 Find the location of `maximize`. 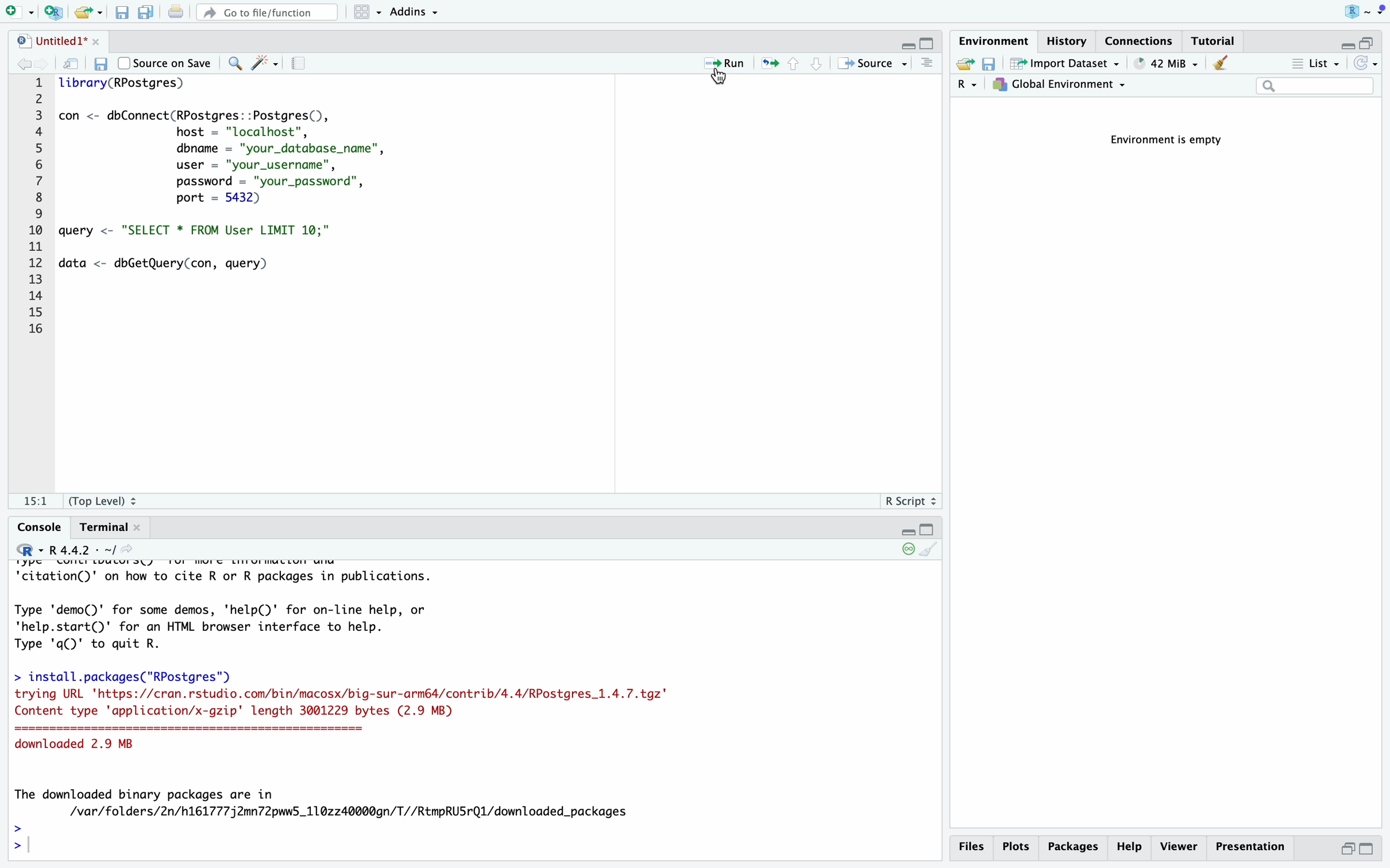

maximize is located at coordinates (928, 529).